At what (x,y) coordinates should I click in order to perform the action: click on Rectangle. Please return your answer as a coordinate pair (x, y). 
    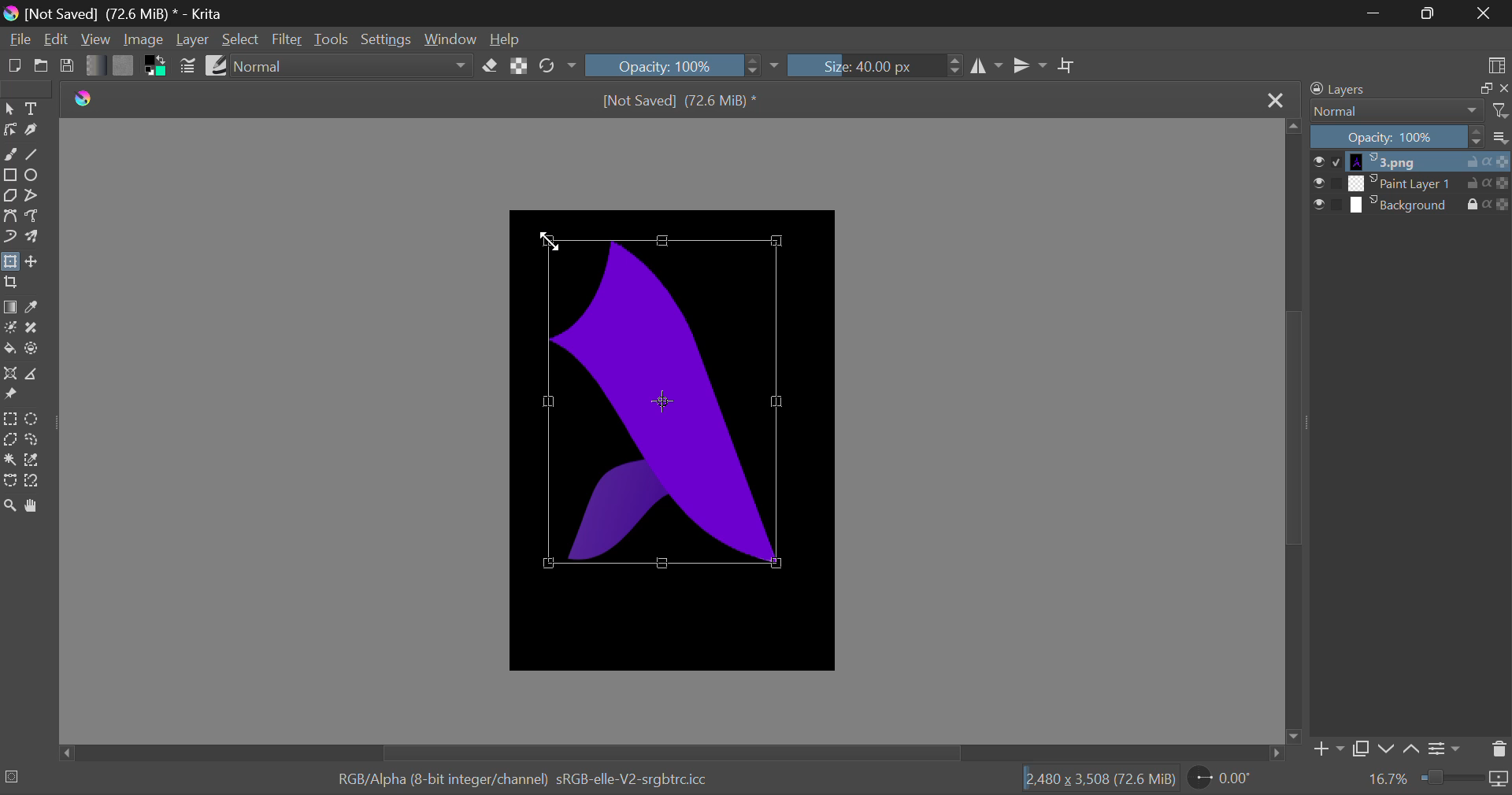
    Looking at the image, I should click on (13, 175).